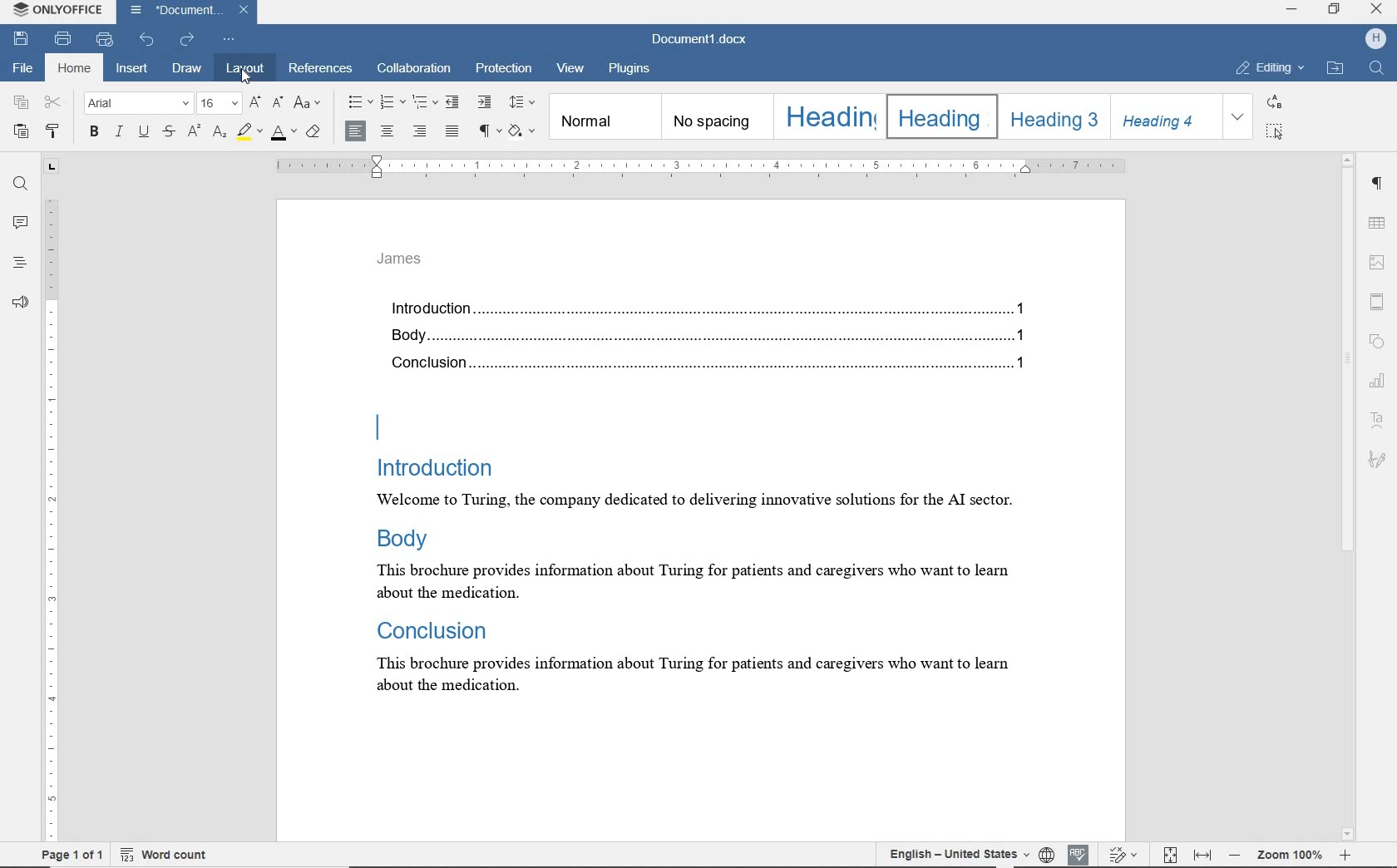 The width and height of the screenshot is (1397, 868). What do you see at coordinates (187, 67) in the screenshot?
I see `draw` at bounding box center [187, 67].